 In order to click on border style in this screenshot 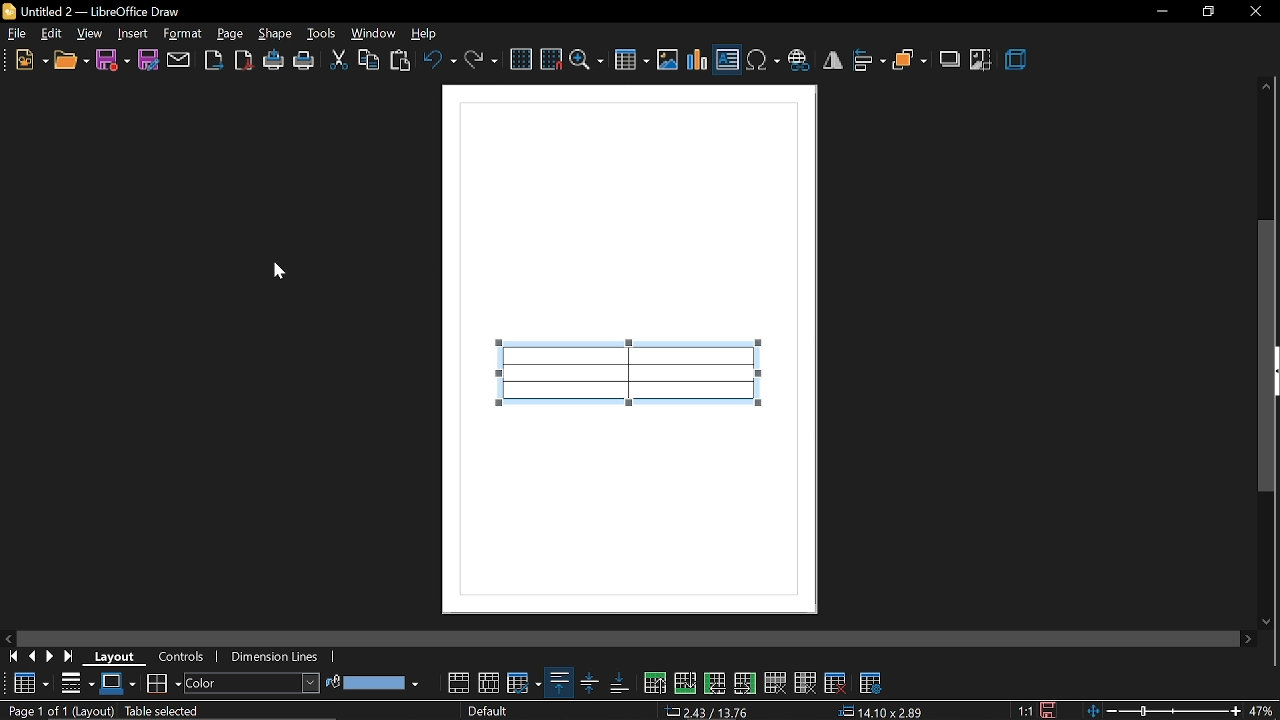, I will do `click(75, 683)`.